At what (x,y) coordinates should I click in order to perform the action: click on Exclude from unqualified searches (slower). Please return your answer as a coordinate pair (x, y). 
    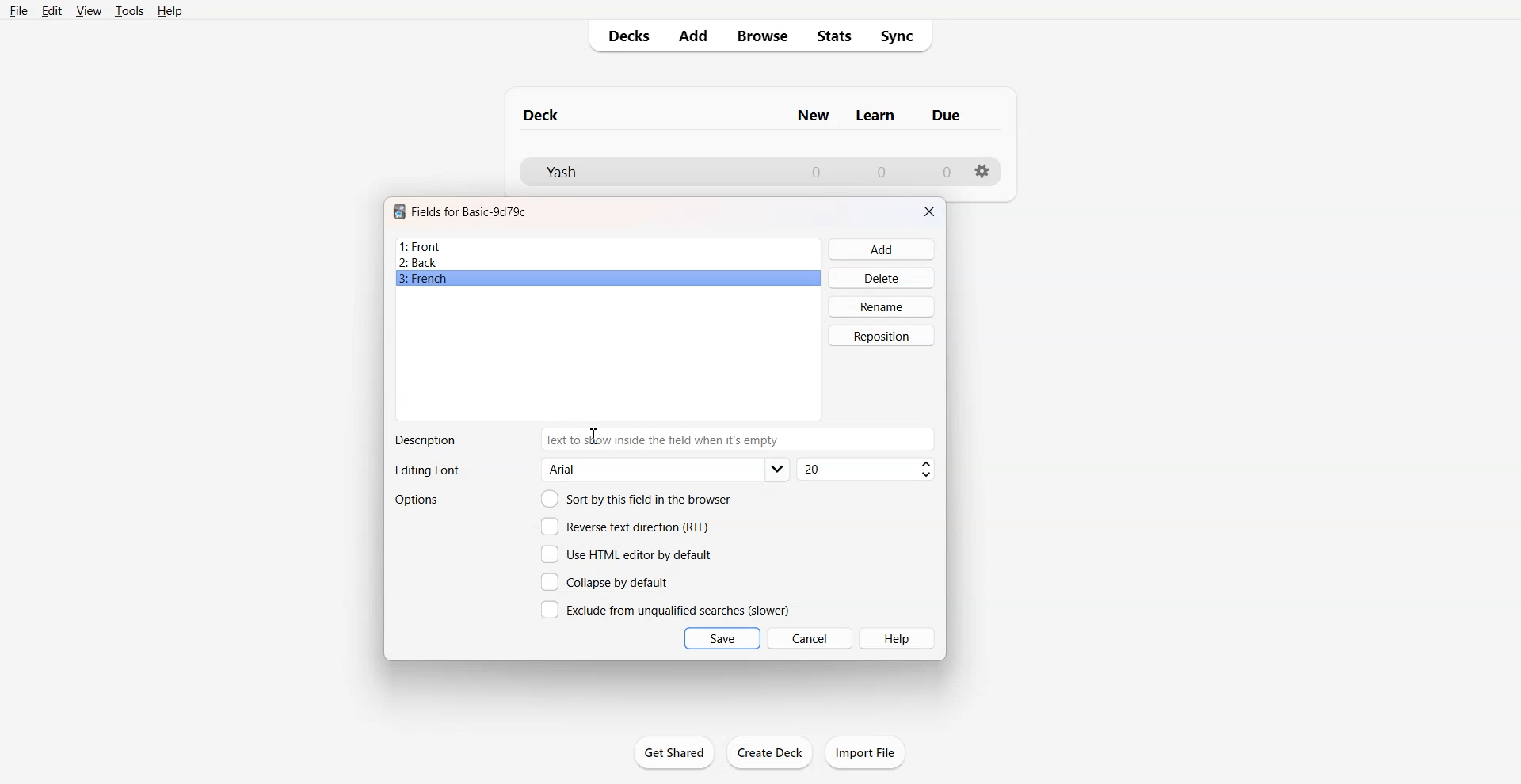
    Looking at the image, I should click on (665, 609).